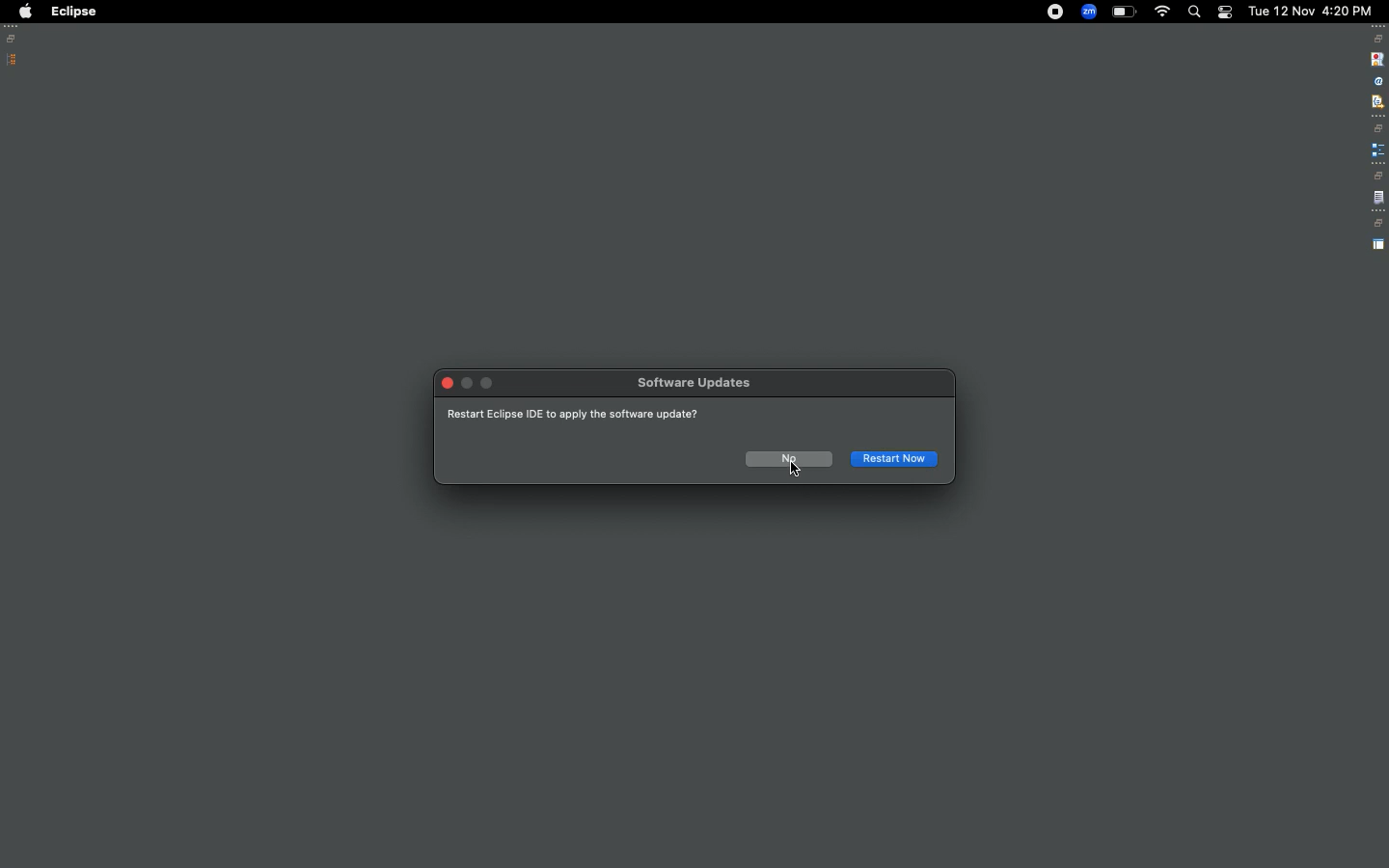 Image resolution: width=1389 pixels, height=868 pixels. Describe the element at coordinates (448, 385) in the screenshot. I see `Close` at that location.